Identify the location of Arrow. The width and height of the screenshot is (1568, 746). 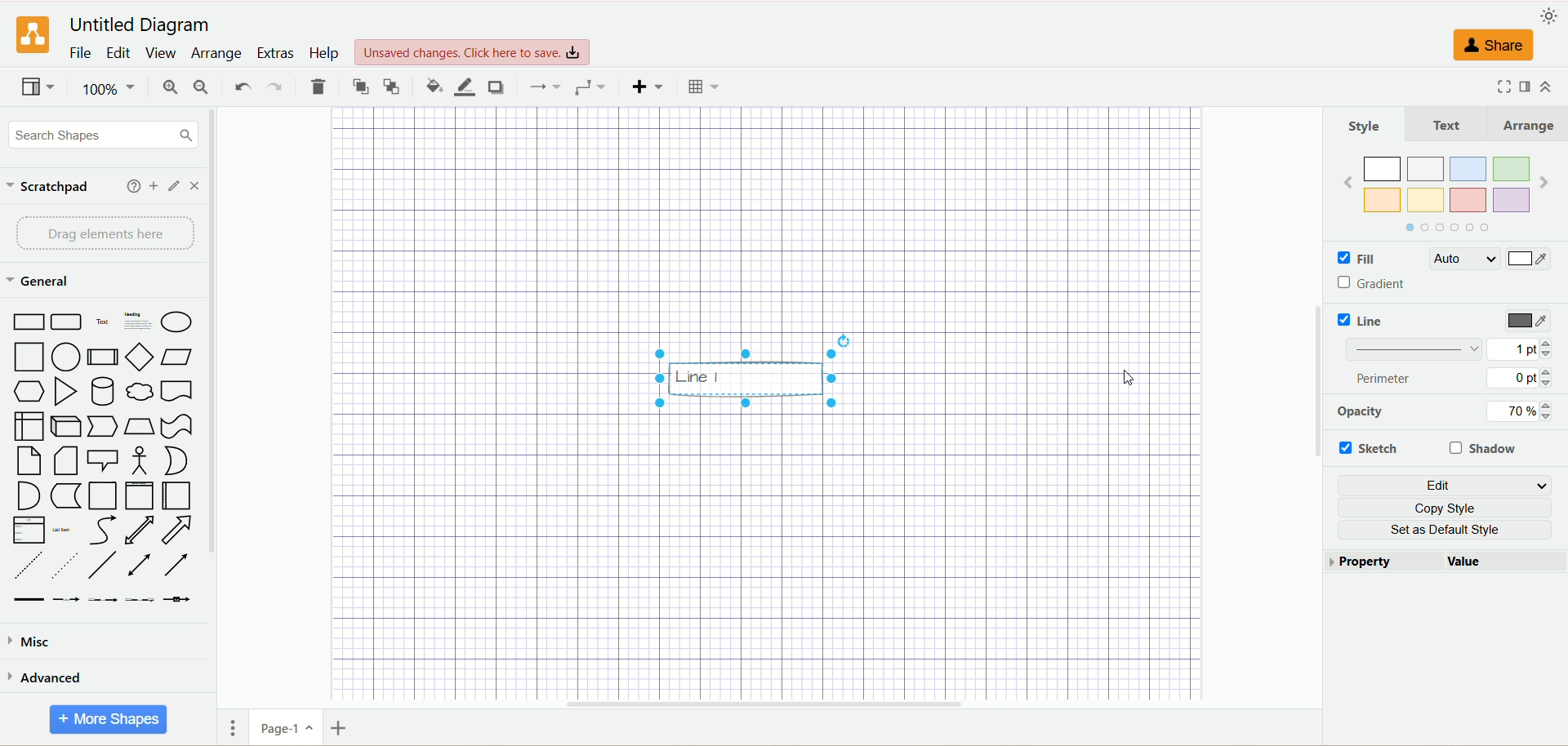
(176, 531).